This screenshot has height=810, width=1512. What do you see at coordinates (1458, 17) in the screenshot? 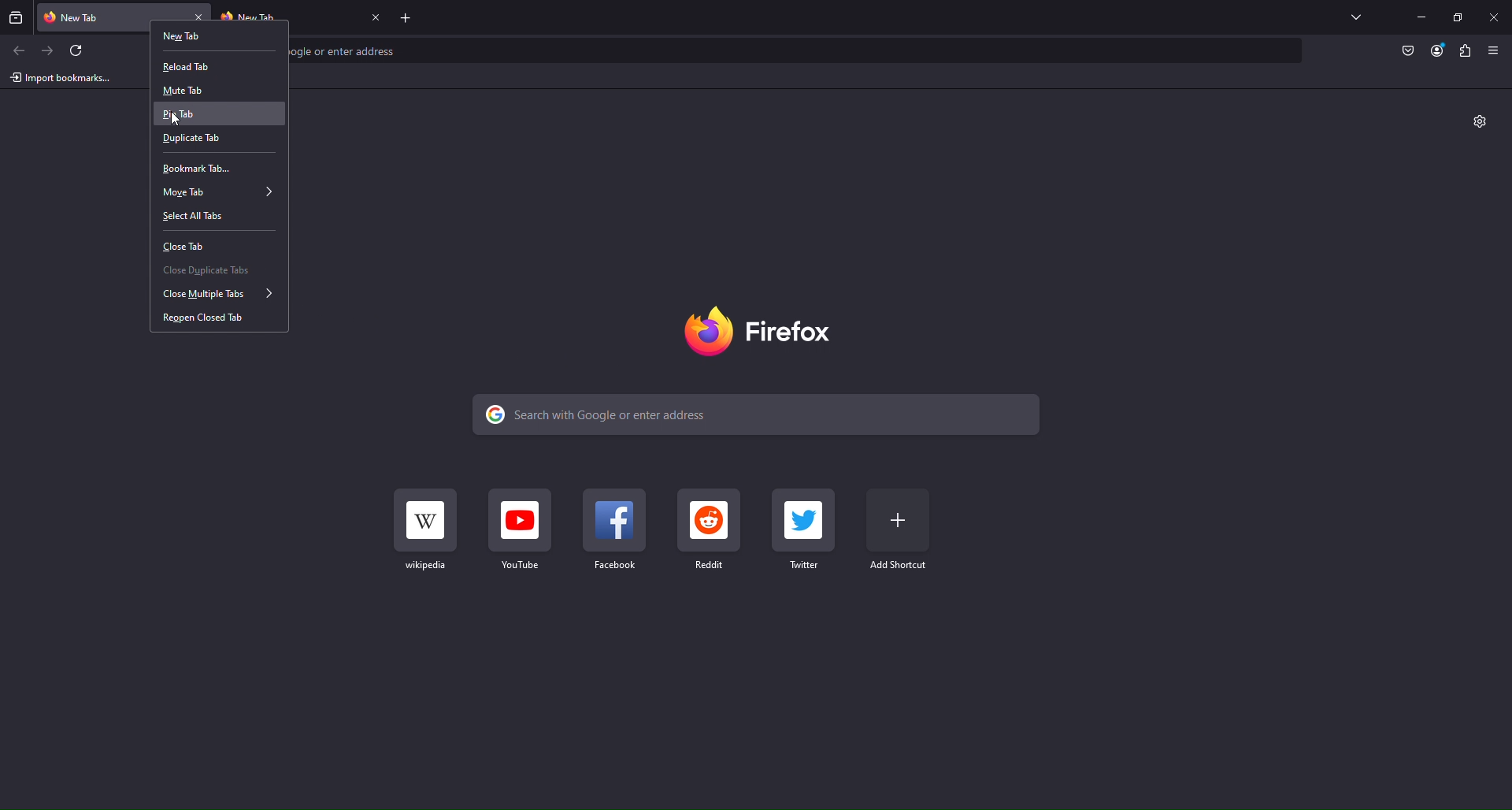
I see `Maximize` at bounding box center [1458, 17].